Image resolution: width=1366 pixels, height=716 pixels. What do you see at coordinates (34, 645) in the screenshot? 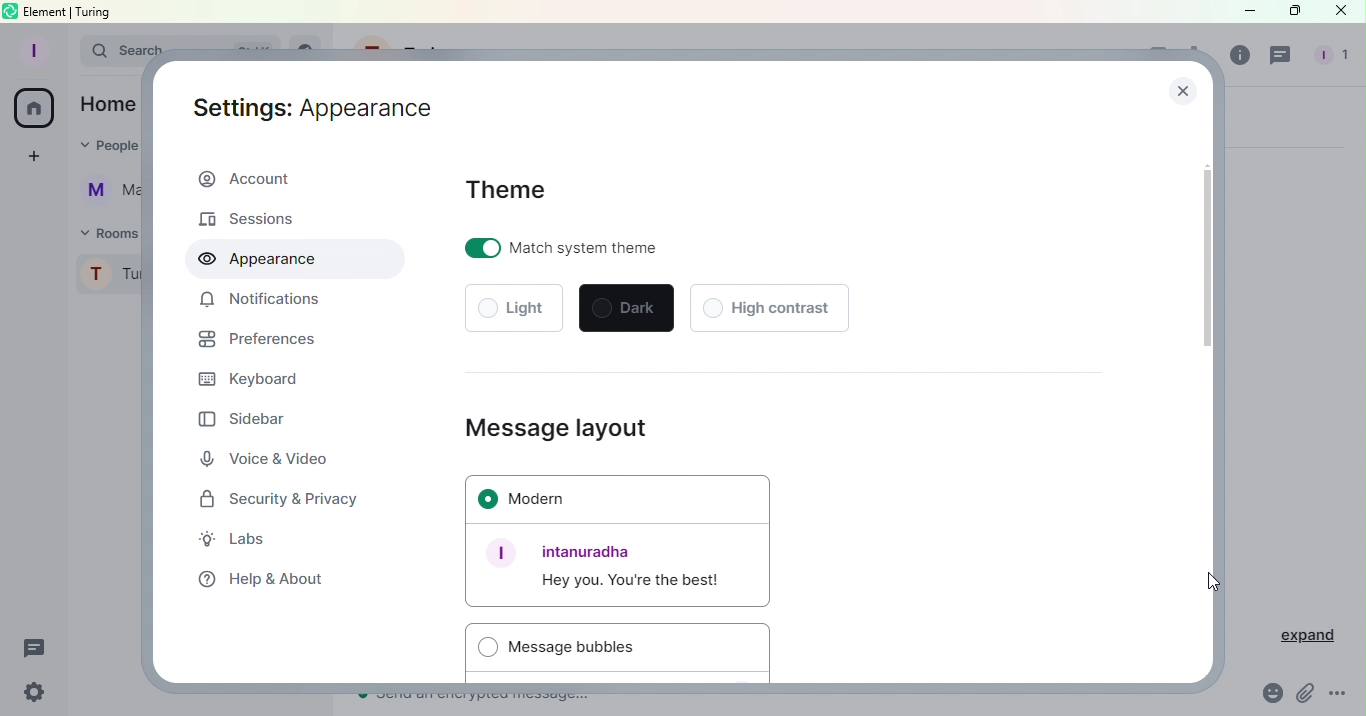
I see `Threads` at bounding box center [34, 645].